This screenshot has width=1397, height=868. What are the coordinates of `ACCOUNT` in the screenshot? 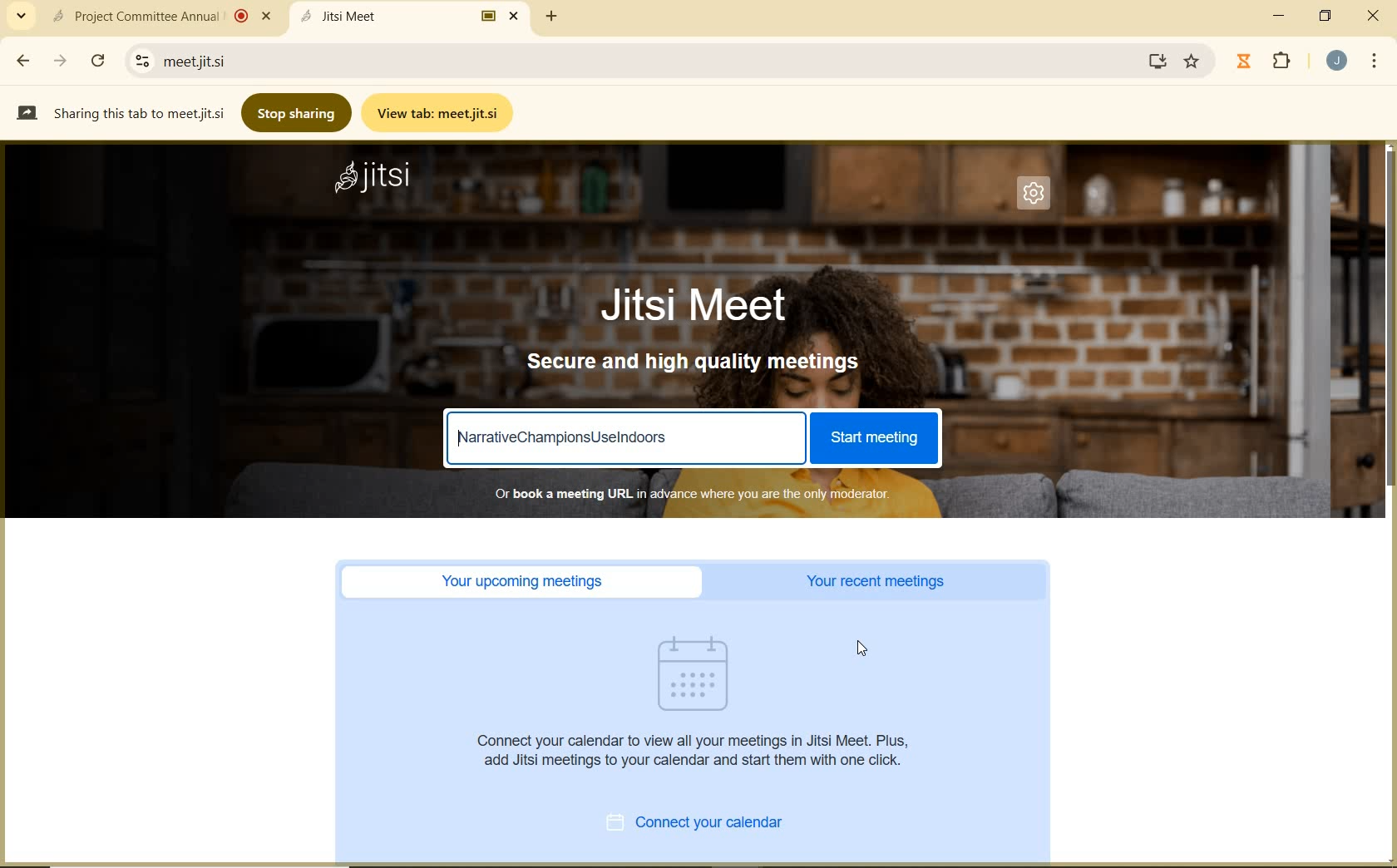 It's located at (1337, 61).